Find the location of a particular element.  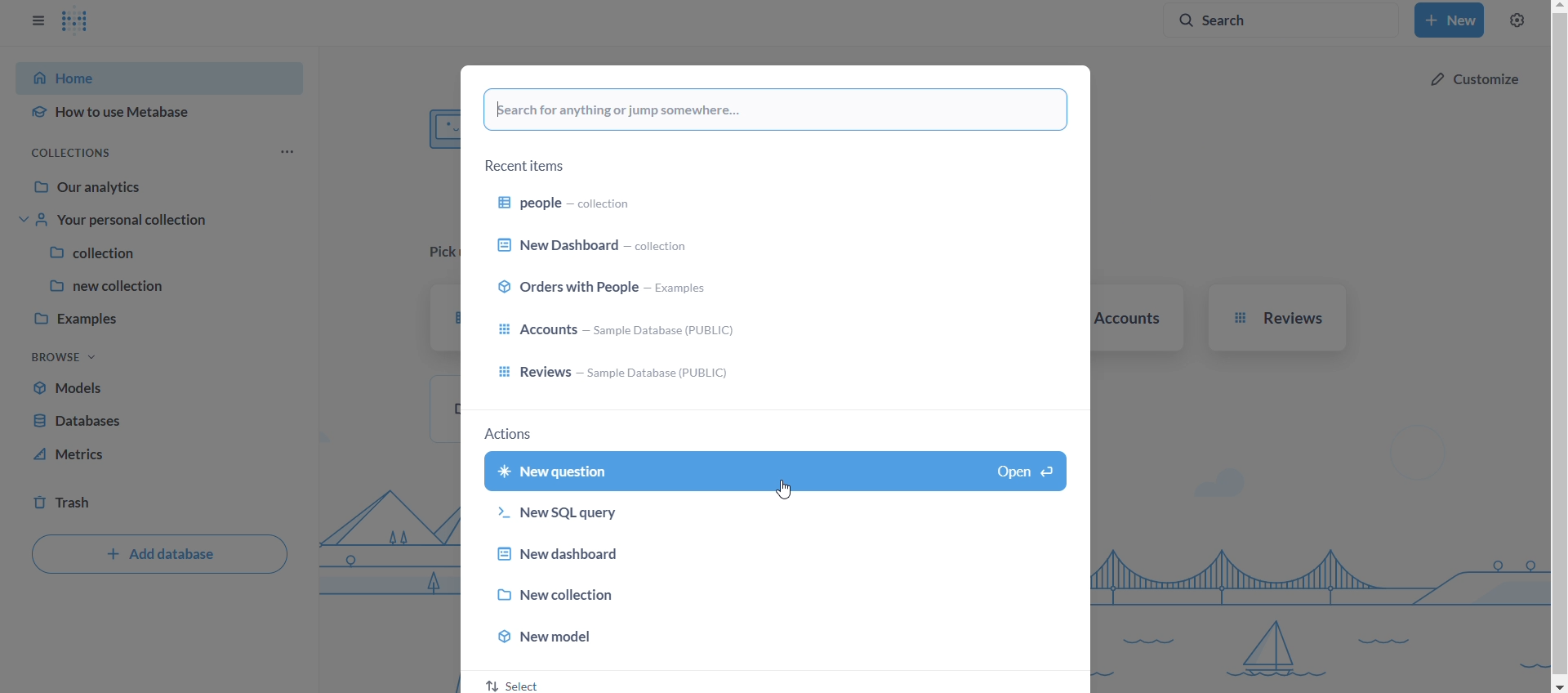

our analytics is located at coordinates (163, 186).